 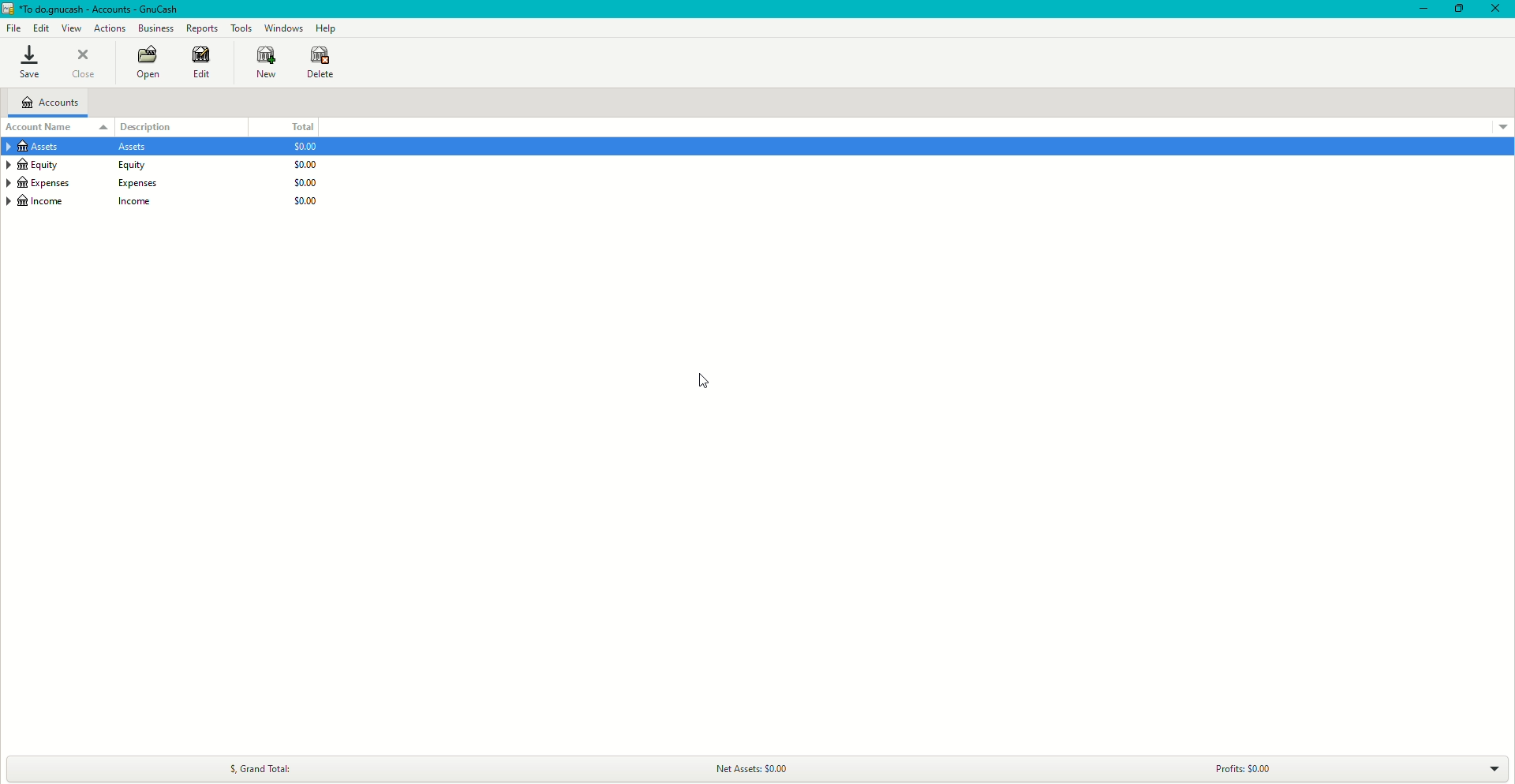 I want to click on Income, so click(x=87, y=203).